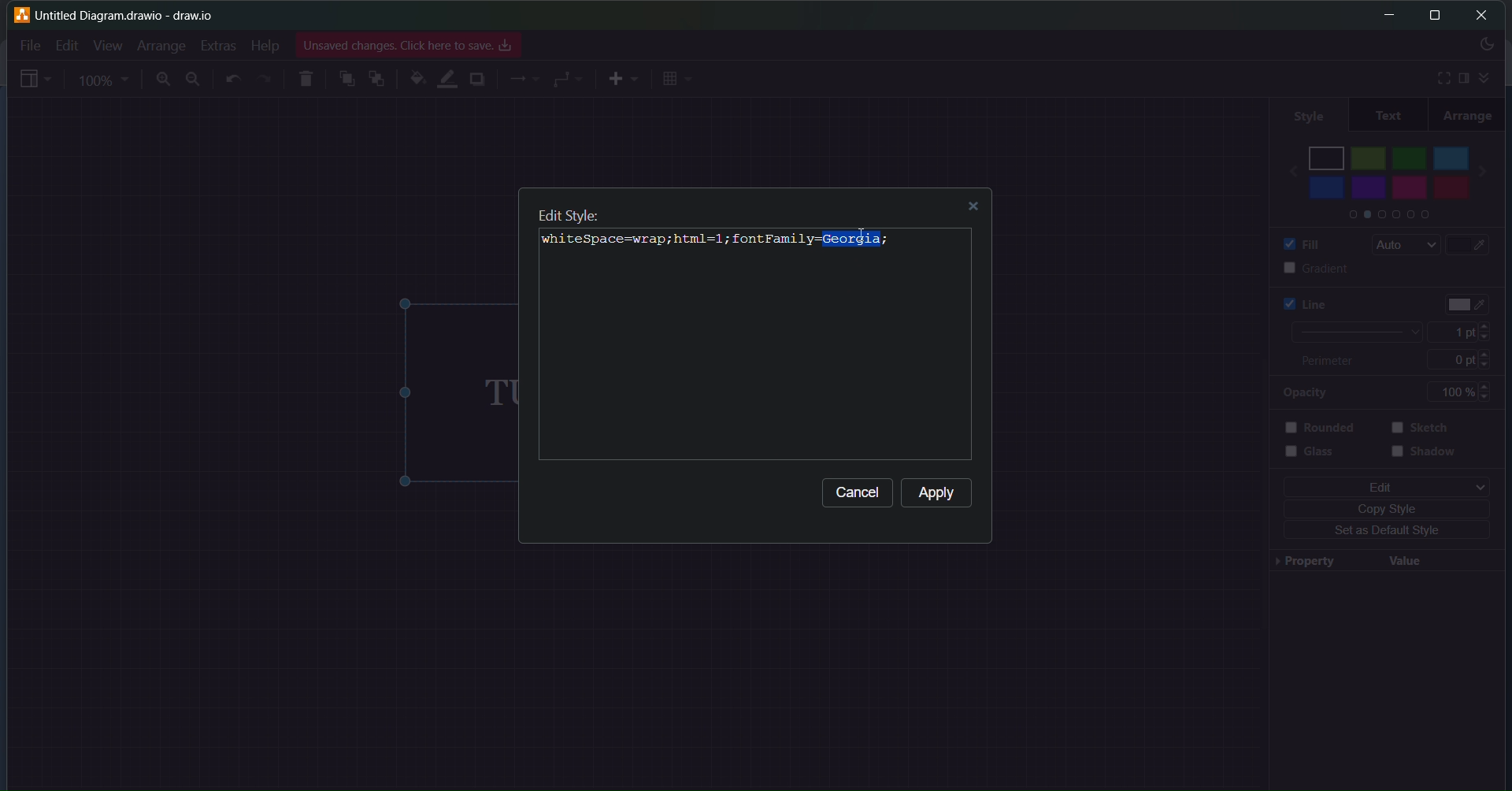 The image size is (1512, 791). I want to click on untitled Diagram.drawio - draw.io, so click(135, 13).